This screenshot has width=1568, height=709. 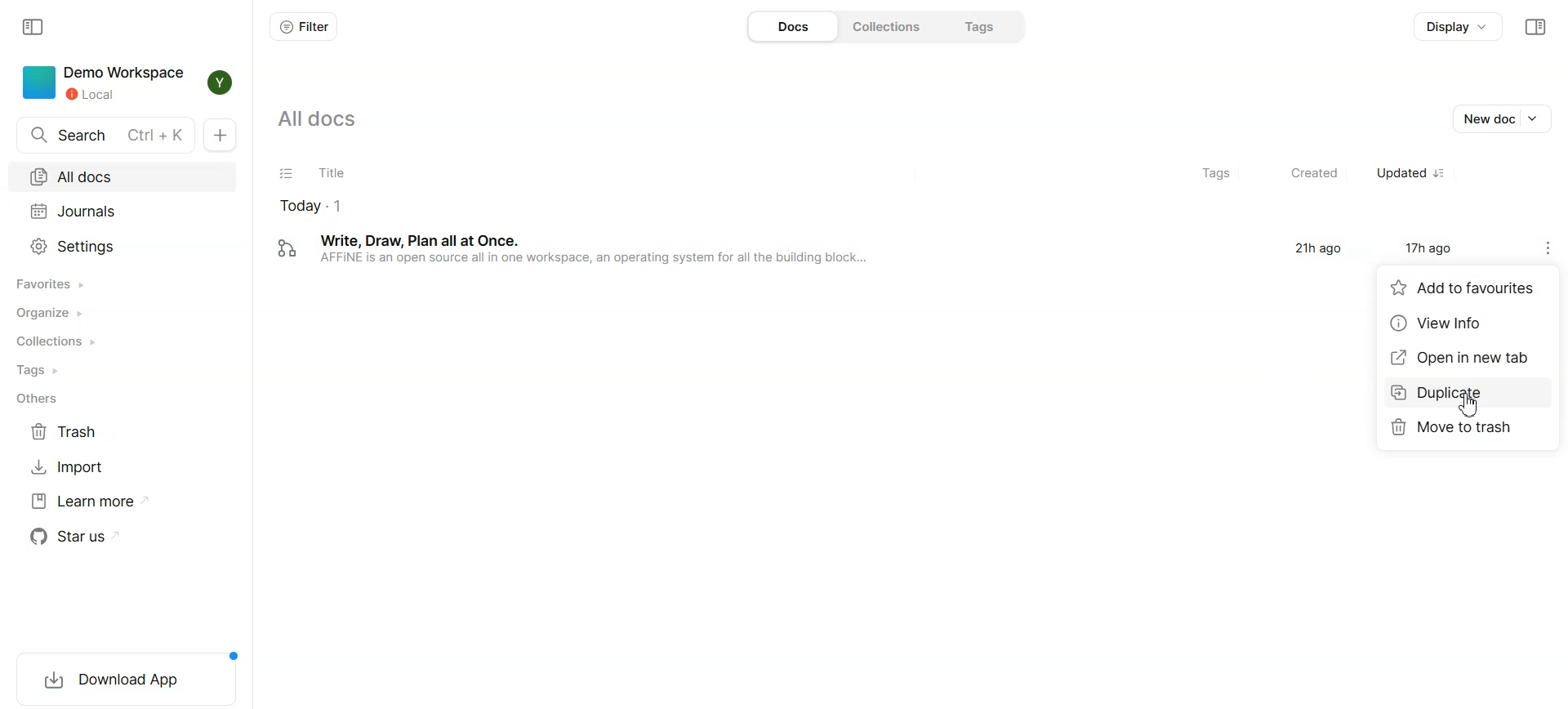 What do you see at coordinates (105, 82) in the screenshot?
I see `Demo Workspace` at bounding box center [105, 82].